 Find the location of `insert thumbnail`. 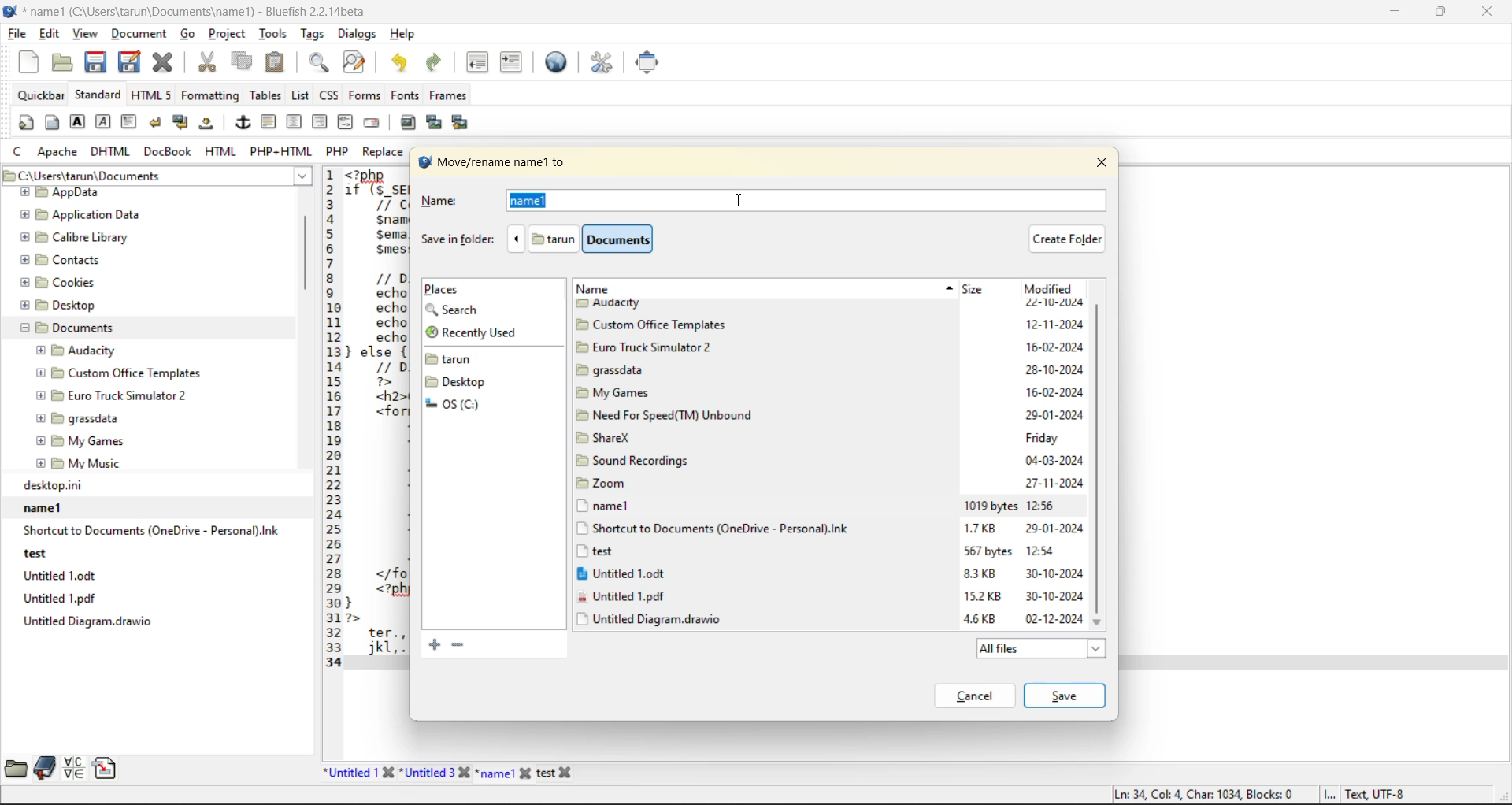

insert thumbnail is located at coordinates (433, 121).